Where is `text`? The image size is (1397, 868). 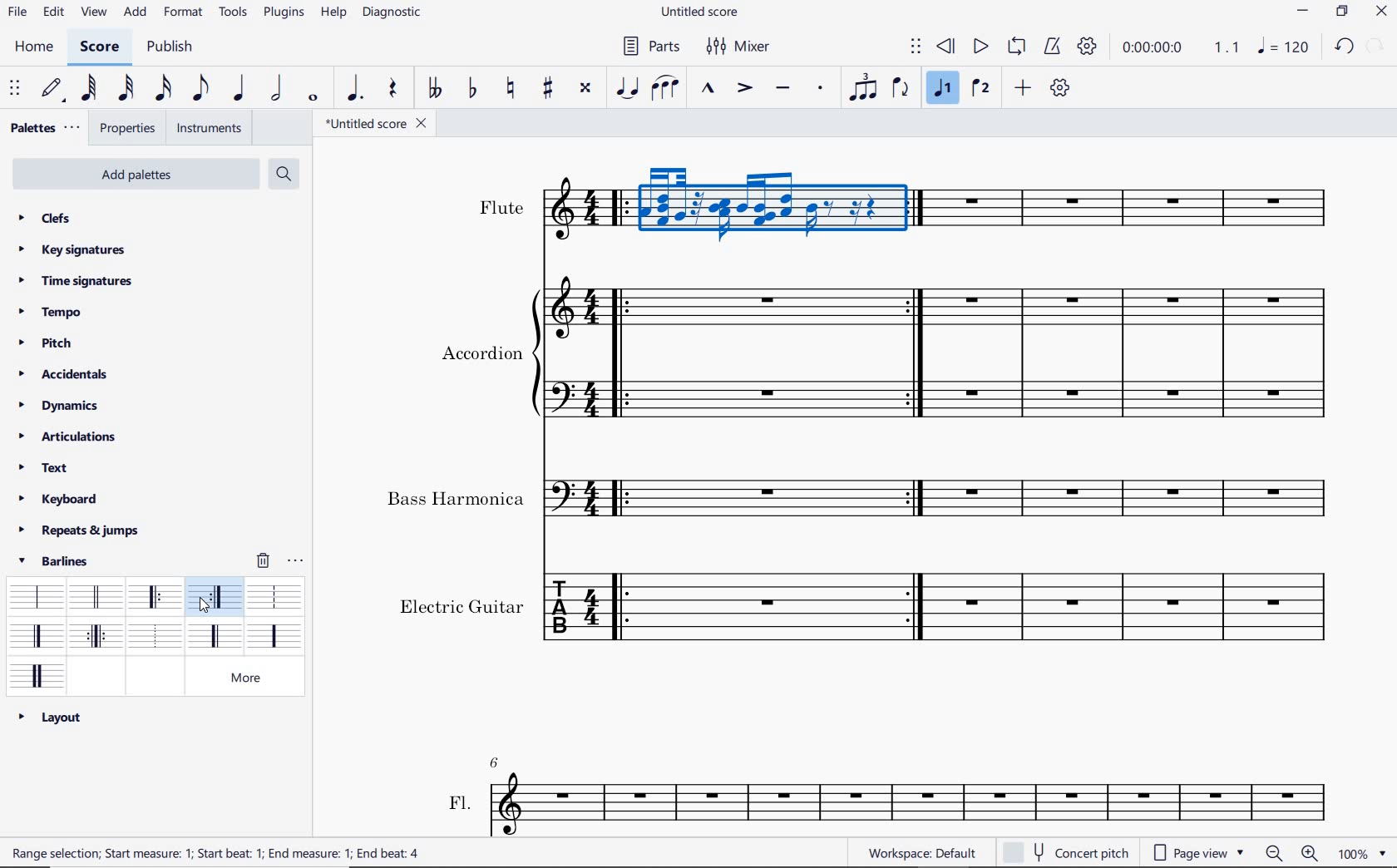
text is located at coordinates (481, 352).